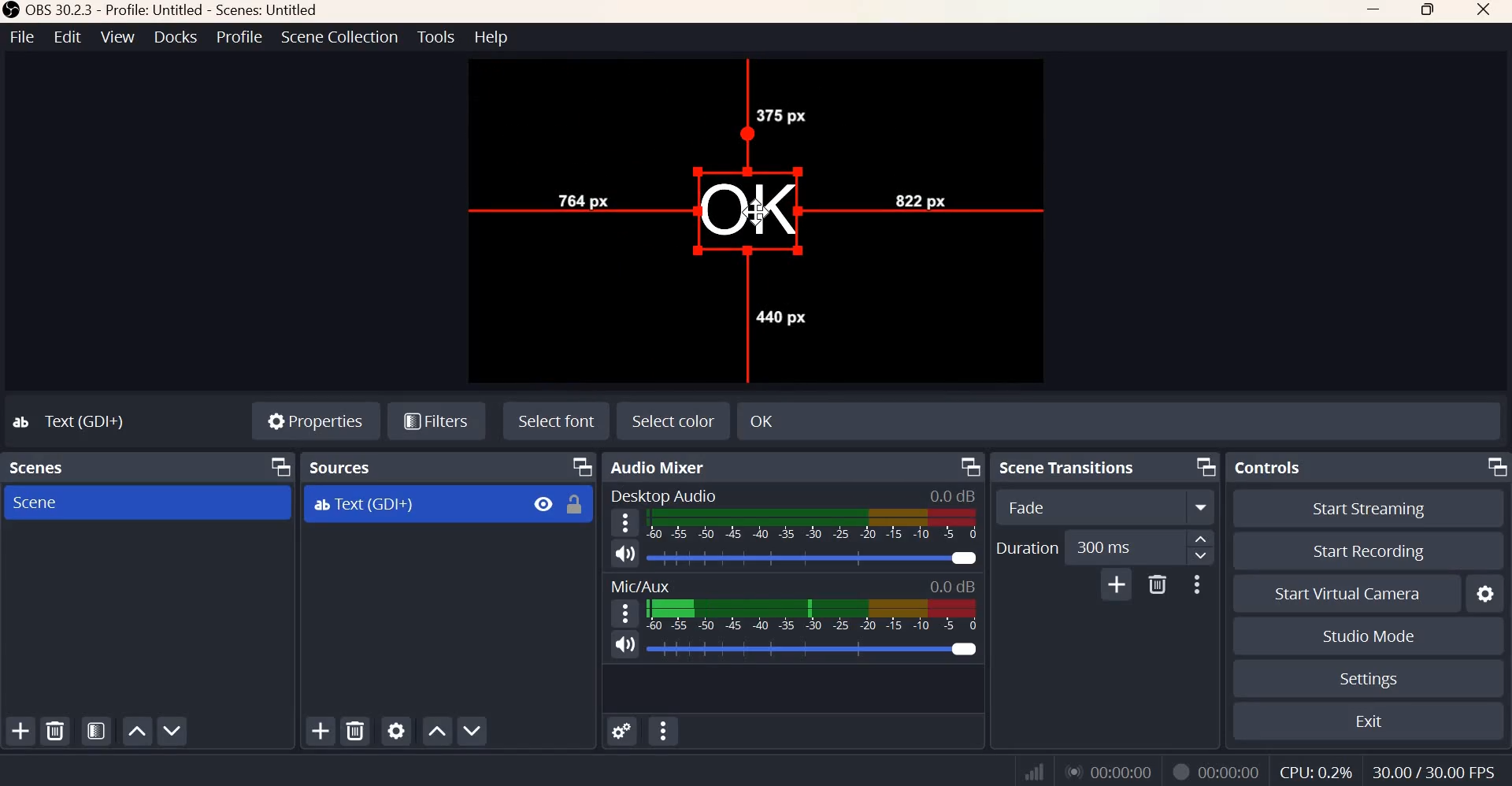 The width and height of the screenshot is (1512, 786). Describe the element at coordinates (1370, 510) in the screenshot. I see `start streaming` at that location.